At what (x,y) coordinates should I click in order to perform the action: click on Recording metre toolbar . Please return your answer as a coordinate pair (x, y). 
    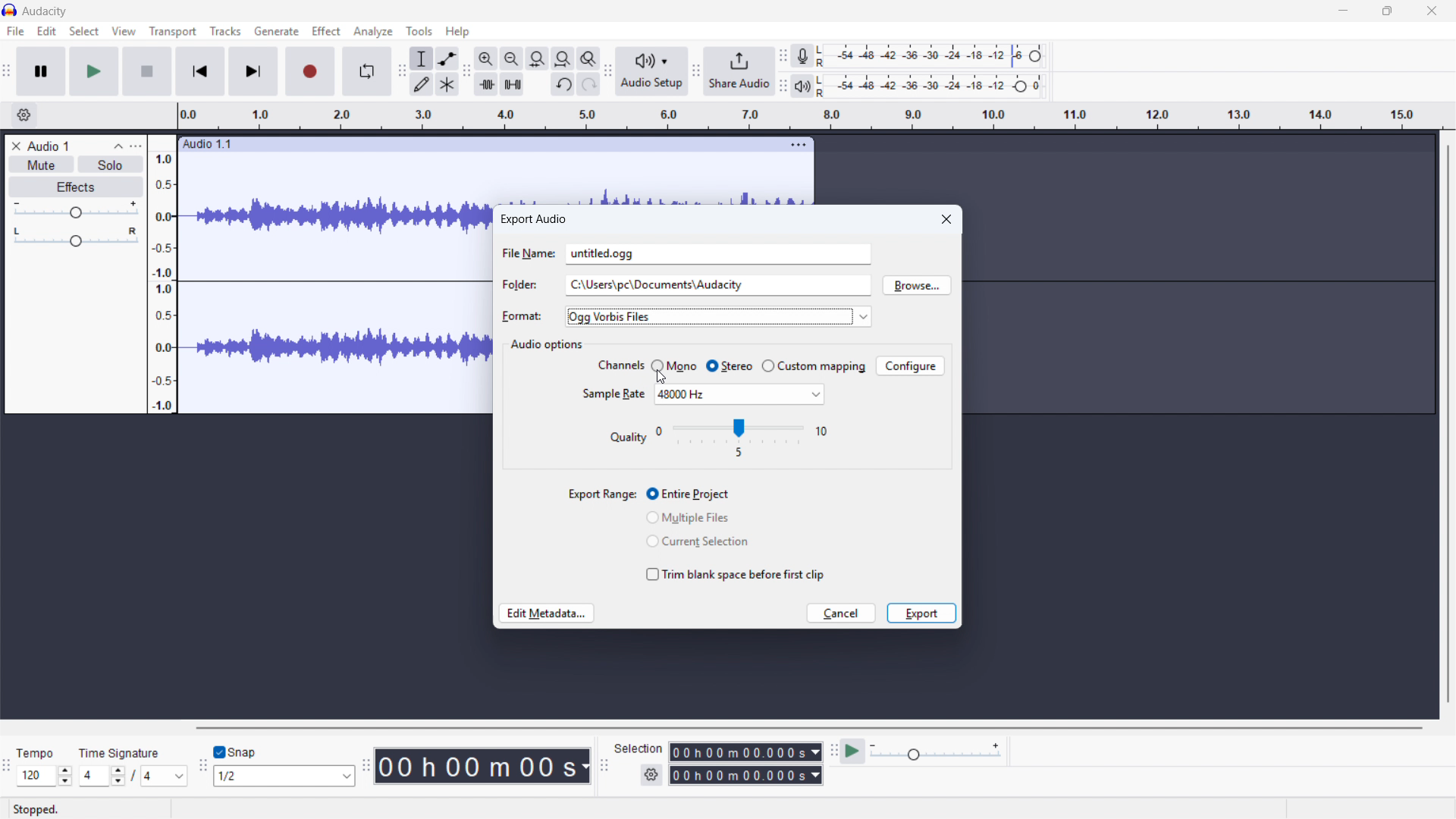
    Looking at the image, I should click on (783, 56).